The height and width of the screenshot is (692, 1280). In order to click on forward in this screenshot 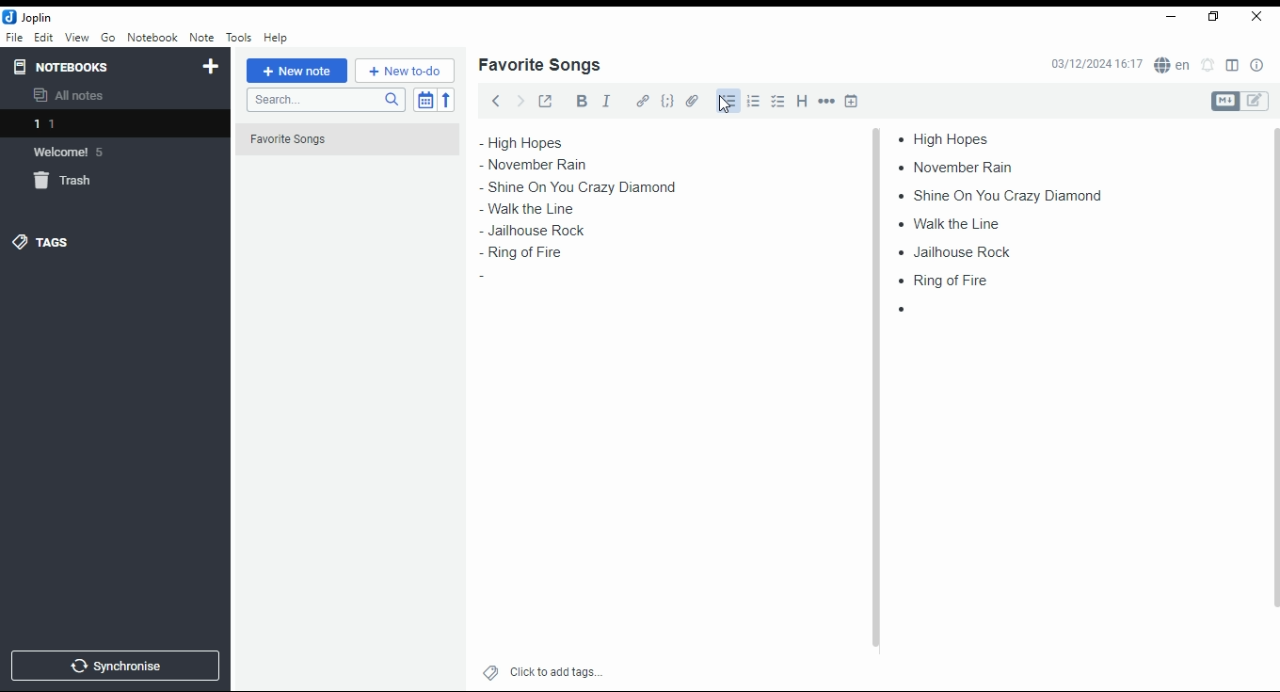, I will do `click(520, 99)`.